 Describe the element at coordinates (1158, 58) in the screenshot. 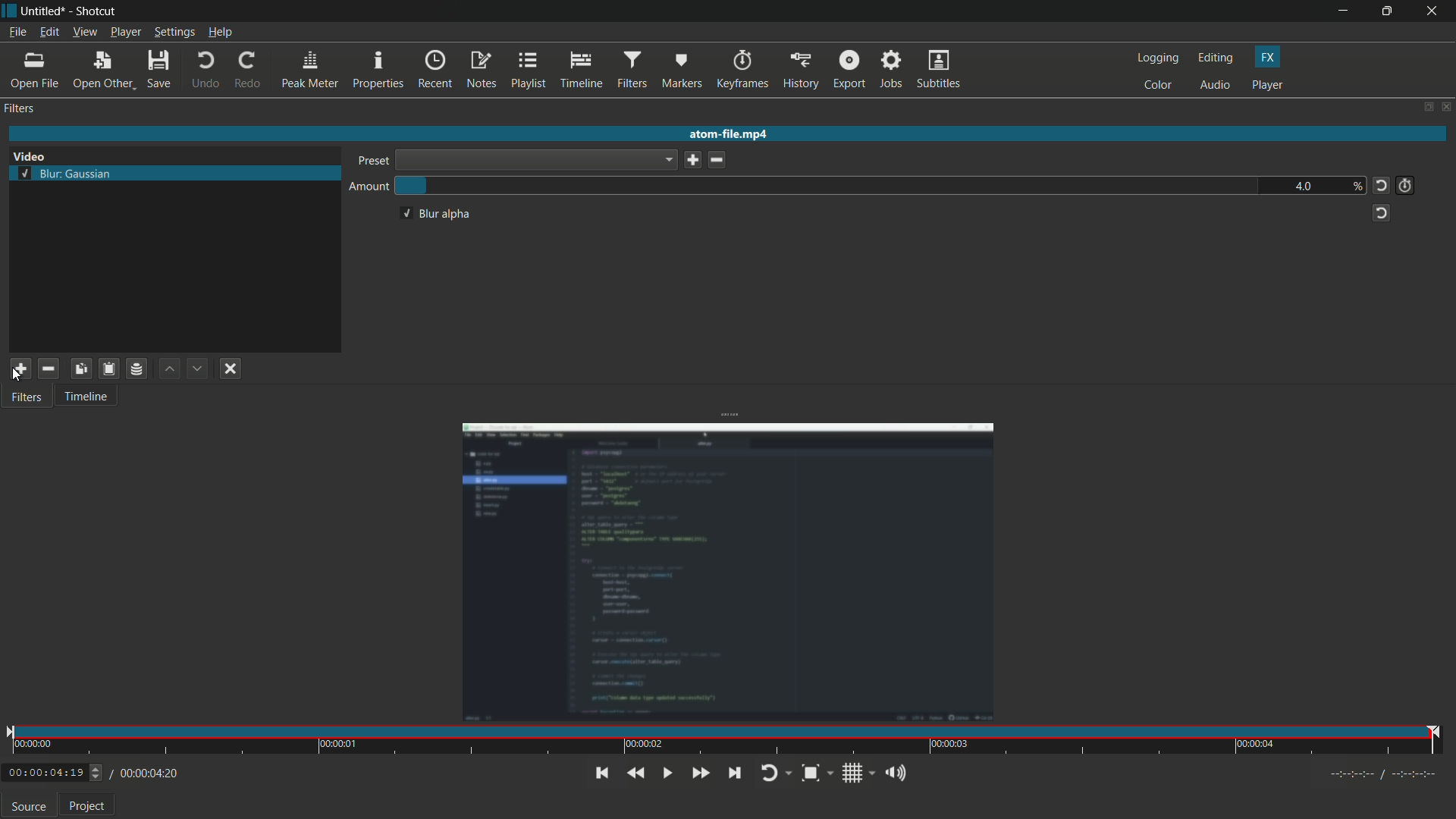

I see `logging` at that location.